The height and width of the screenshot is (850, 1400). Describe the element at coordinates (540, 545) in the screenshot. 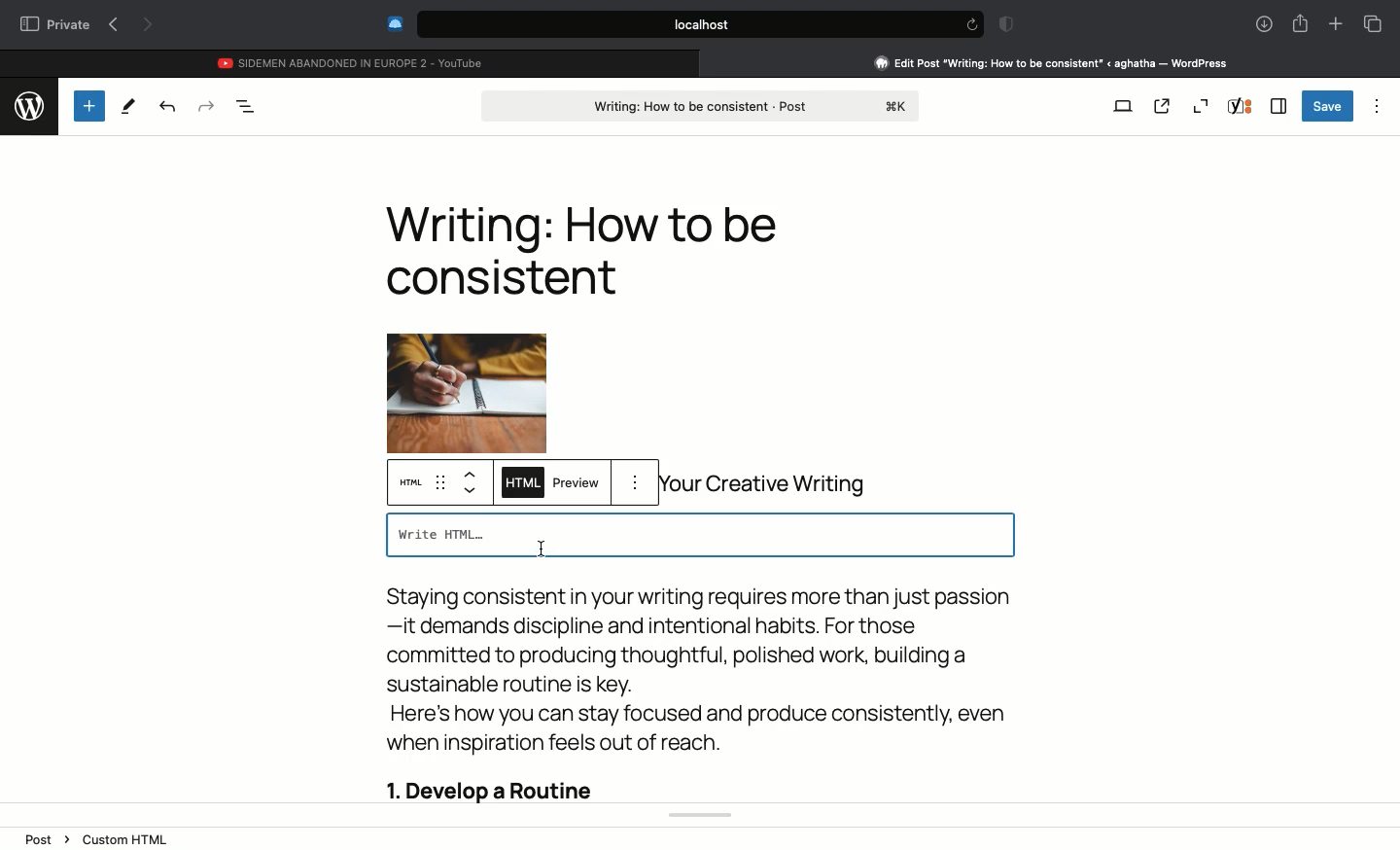

I see `cursor` at that location.